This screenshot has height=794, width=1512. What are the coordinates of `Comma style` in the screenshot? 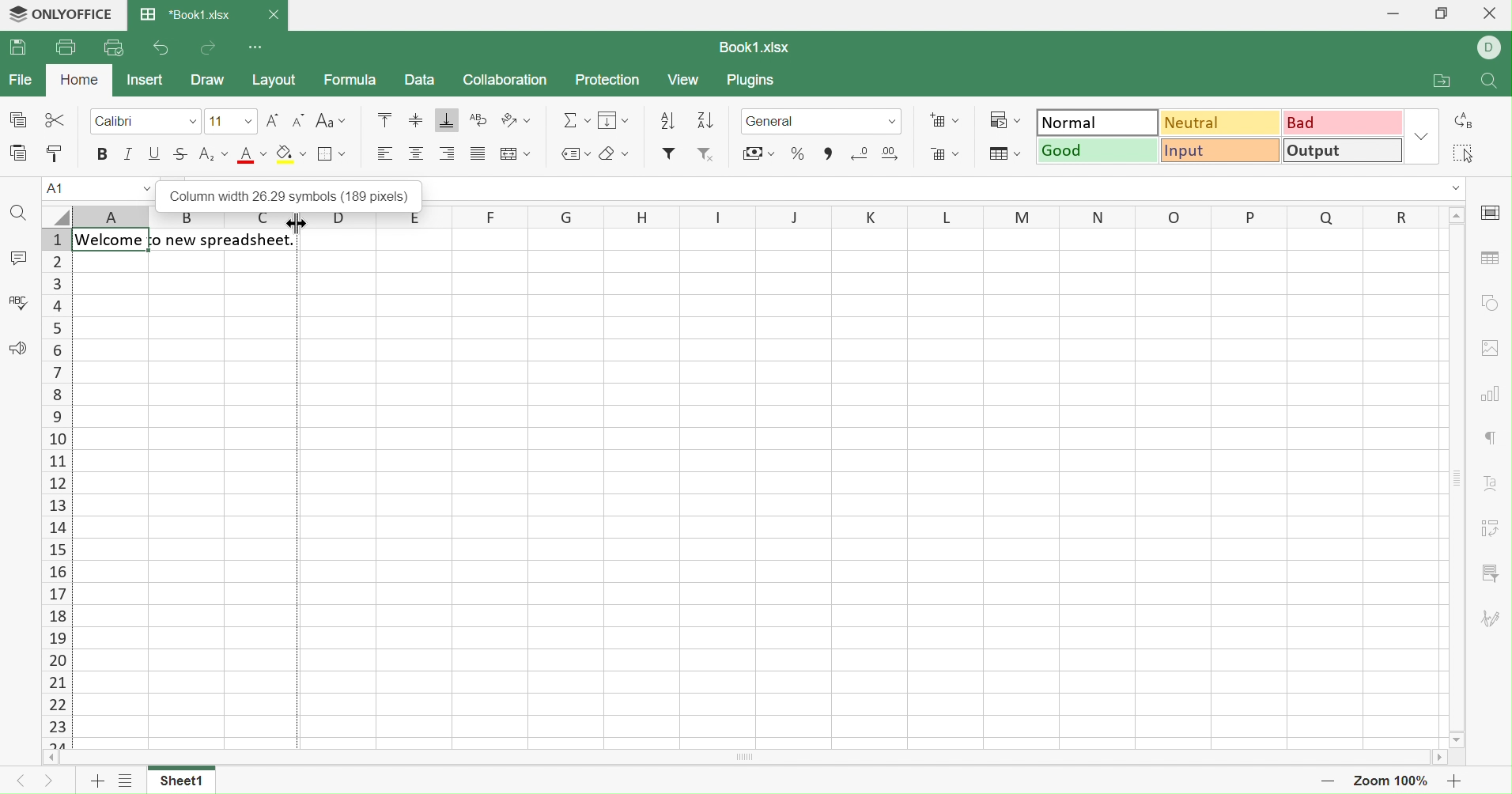 It's located at (827, 153).